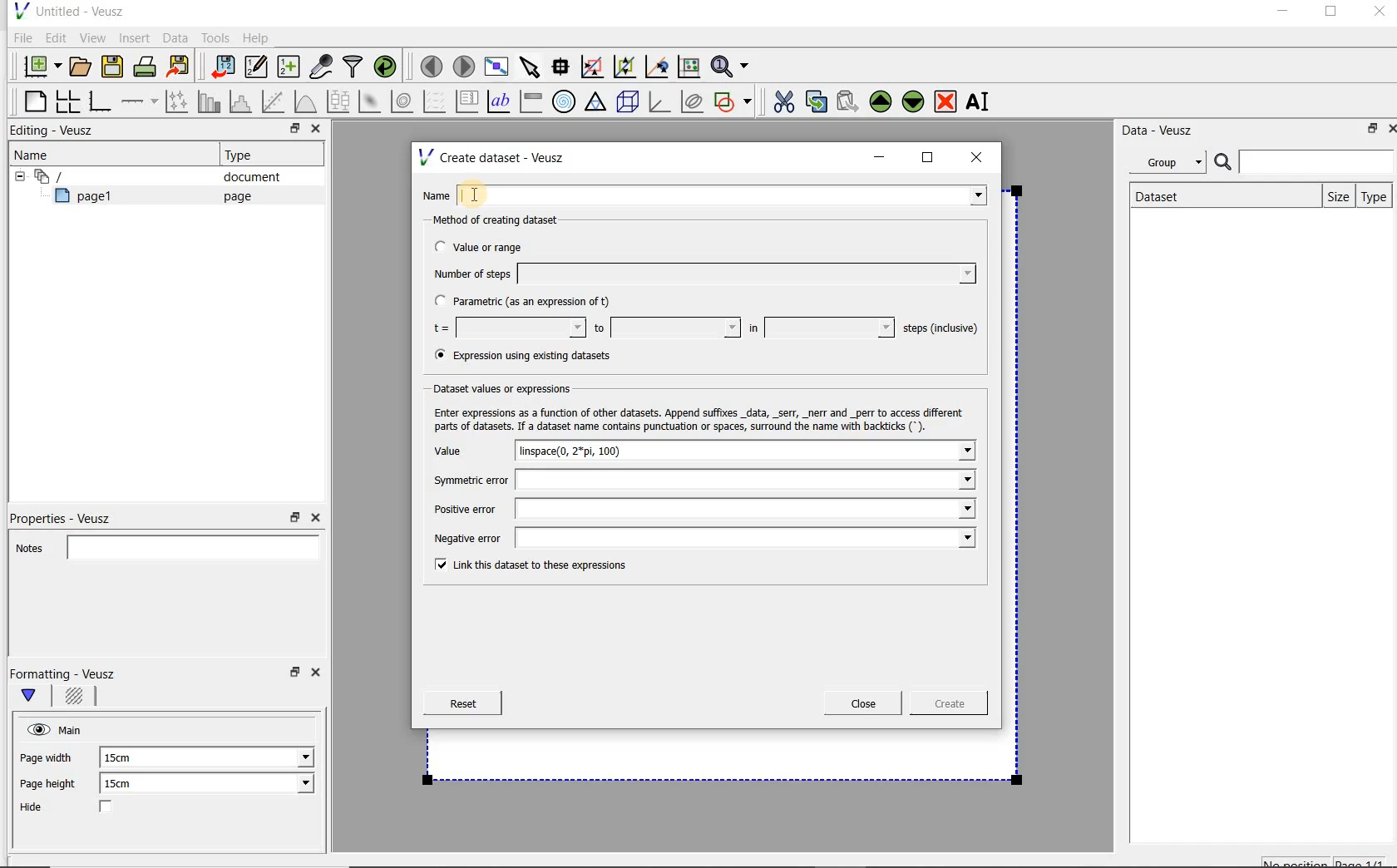 This screenshot has height=868, width=1397. What do you see at coordinates (214, 38) in the screenshot?
I see `Tools` at bounding box center [214, 38].